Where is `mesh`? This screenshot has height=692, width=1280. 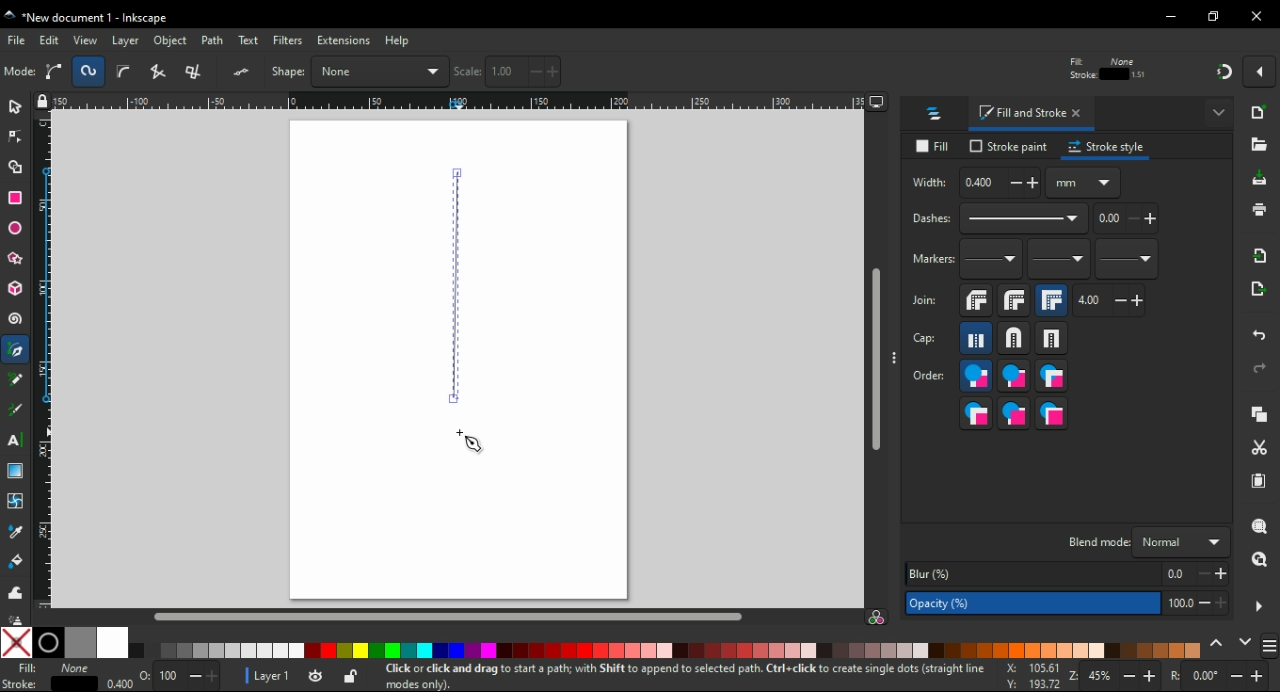
mesh is located at coordinates (15, 500).